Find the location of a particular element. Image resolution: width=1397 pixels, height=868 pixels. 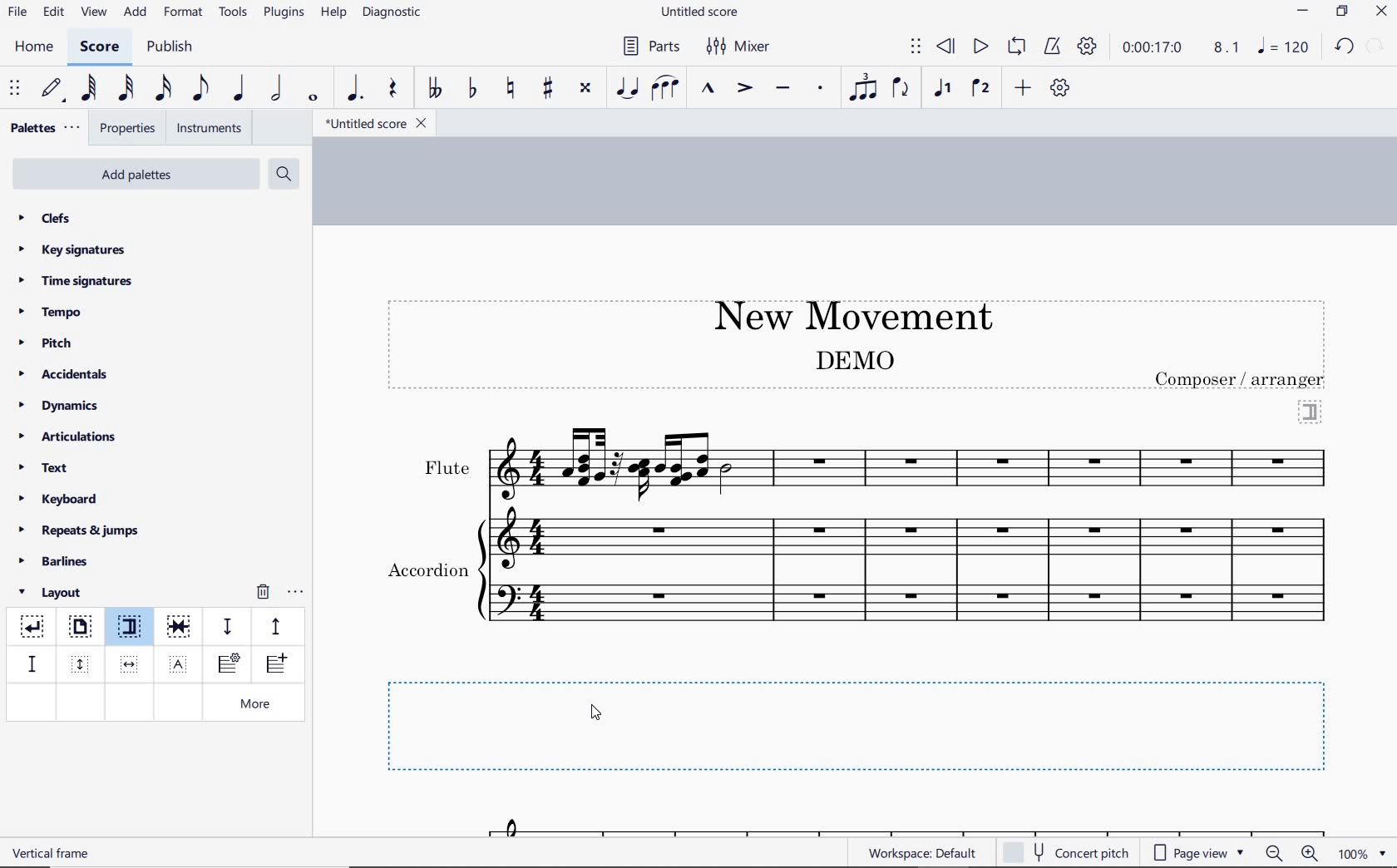

remove layout is located at coordinates (263, 594).